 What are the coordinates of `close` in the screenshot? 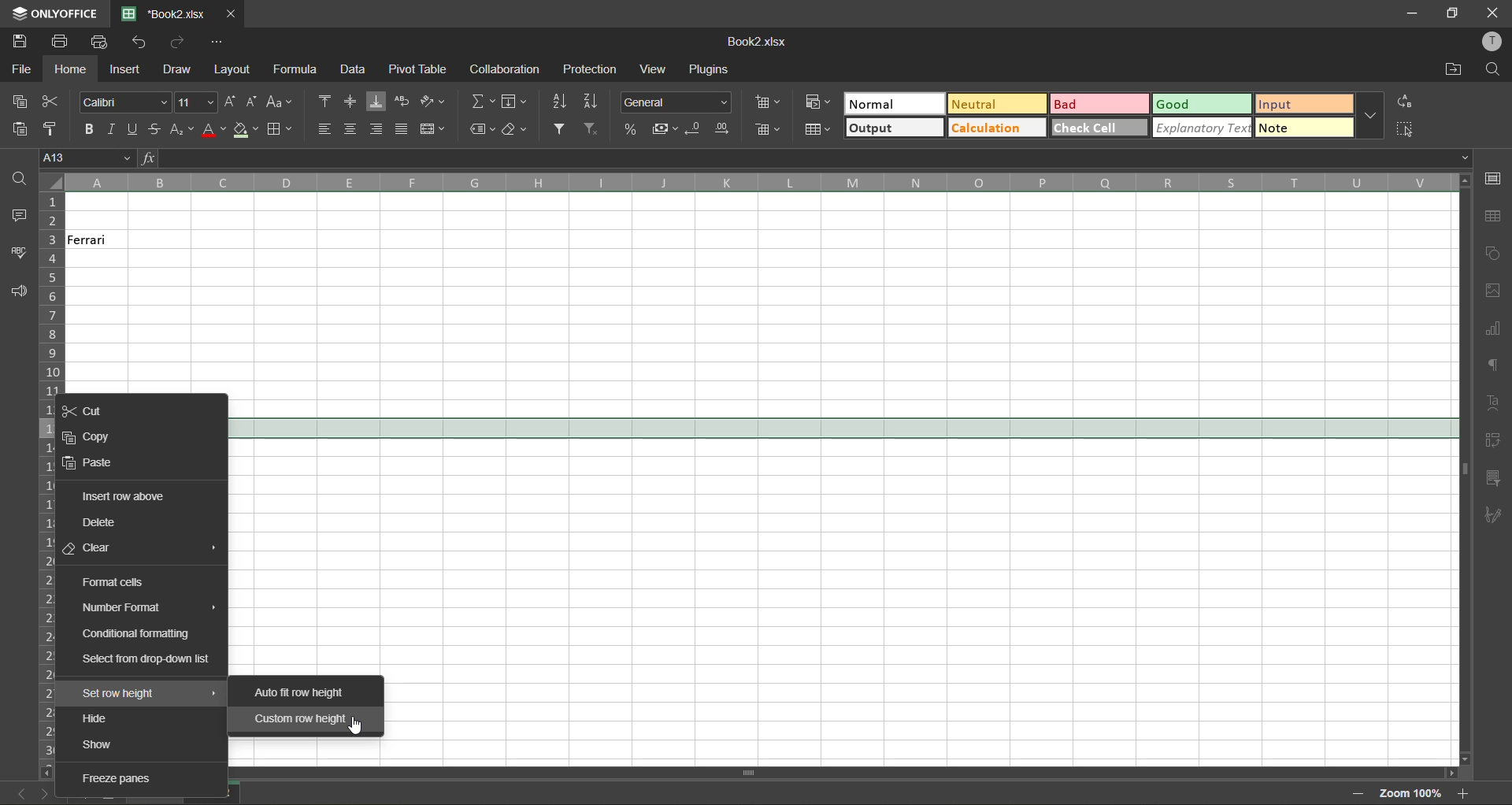 It's located at (1494, 11).